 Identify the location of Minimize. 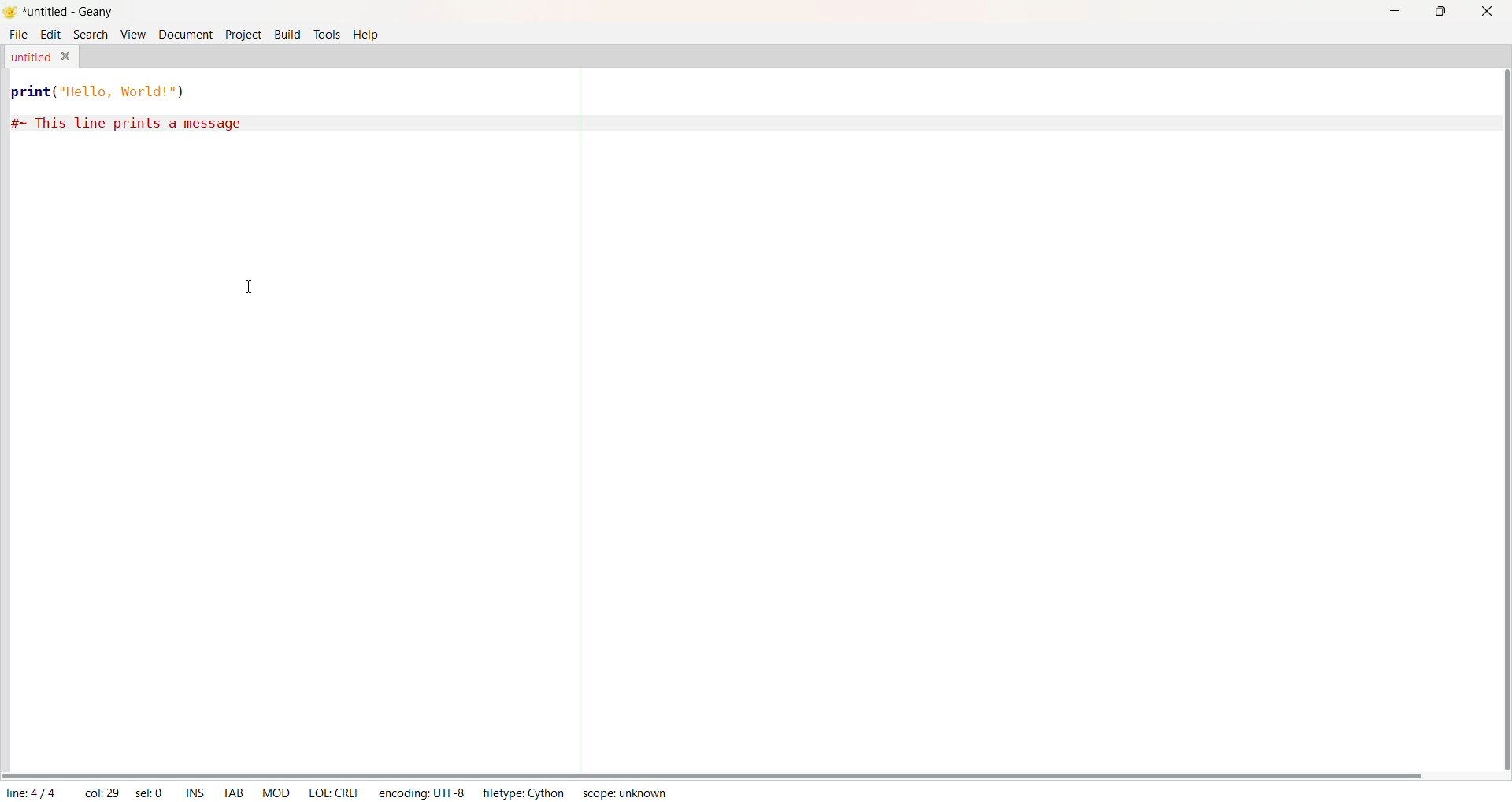
(1395, 9).